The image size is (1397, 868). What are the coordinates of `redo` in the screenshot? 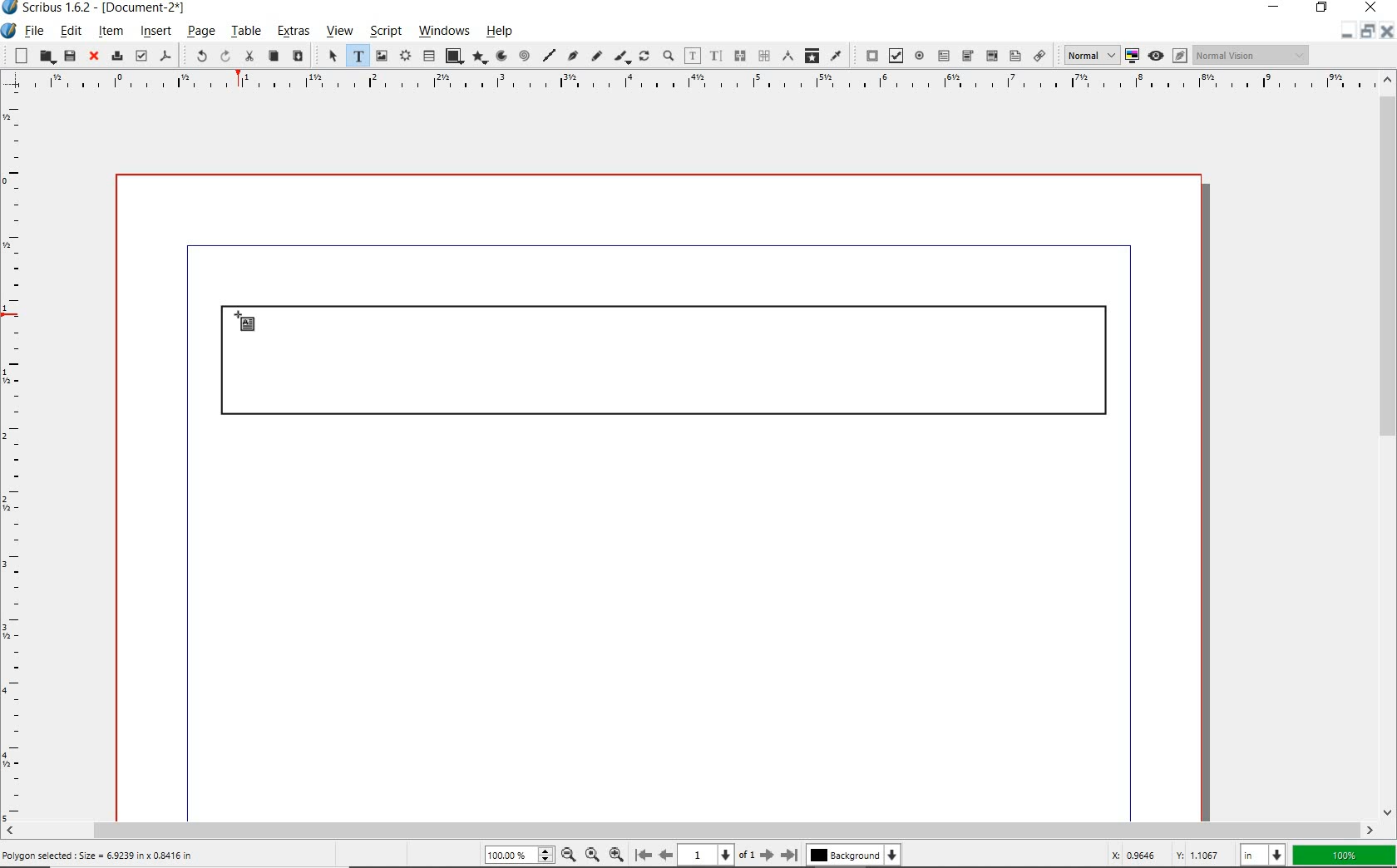 It's located at (225, 56).